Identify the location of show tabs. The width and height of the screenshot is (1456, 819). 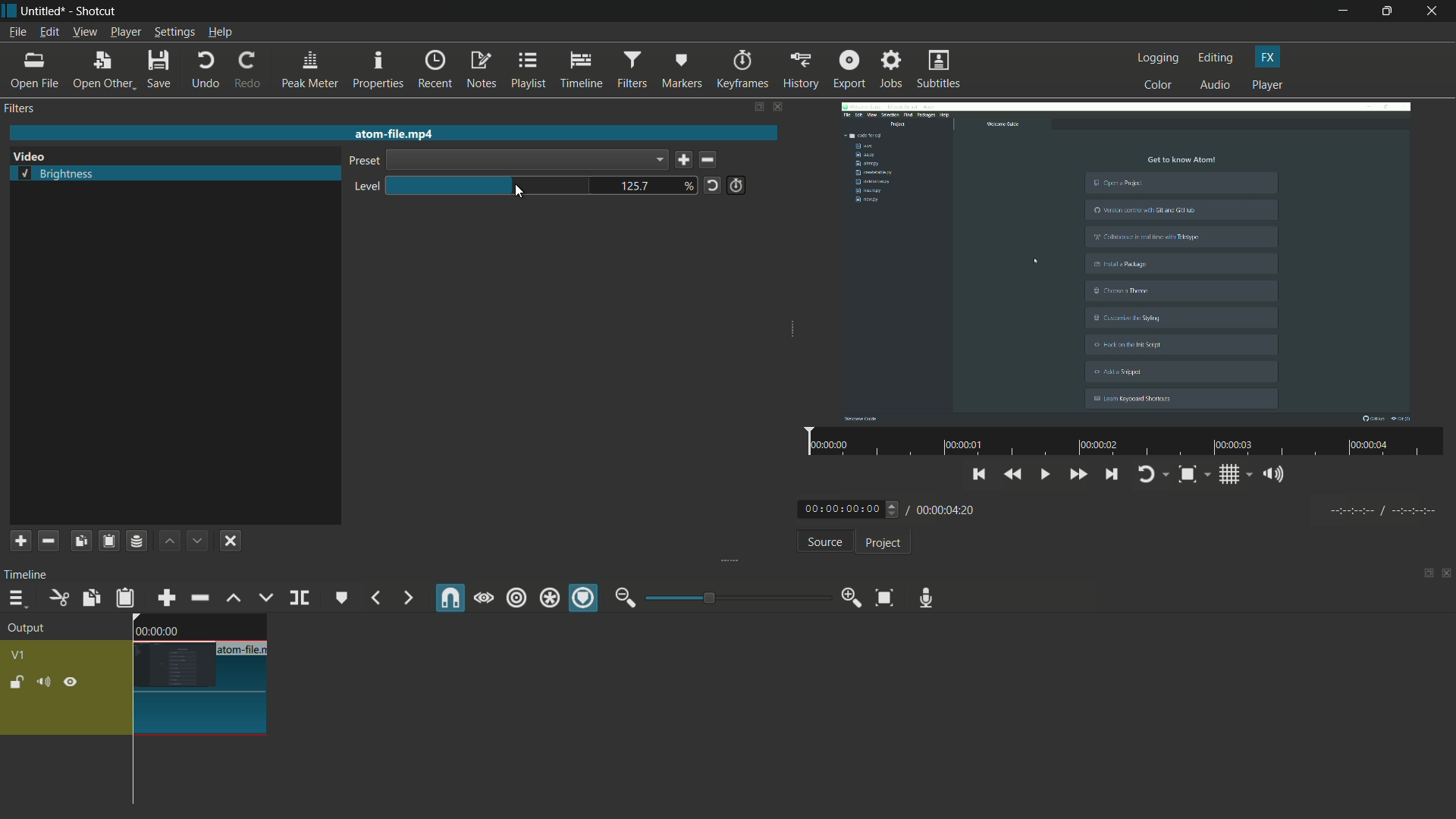
(758, 108).